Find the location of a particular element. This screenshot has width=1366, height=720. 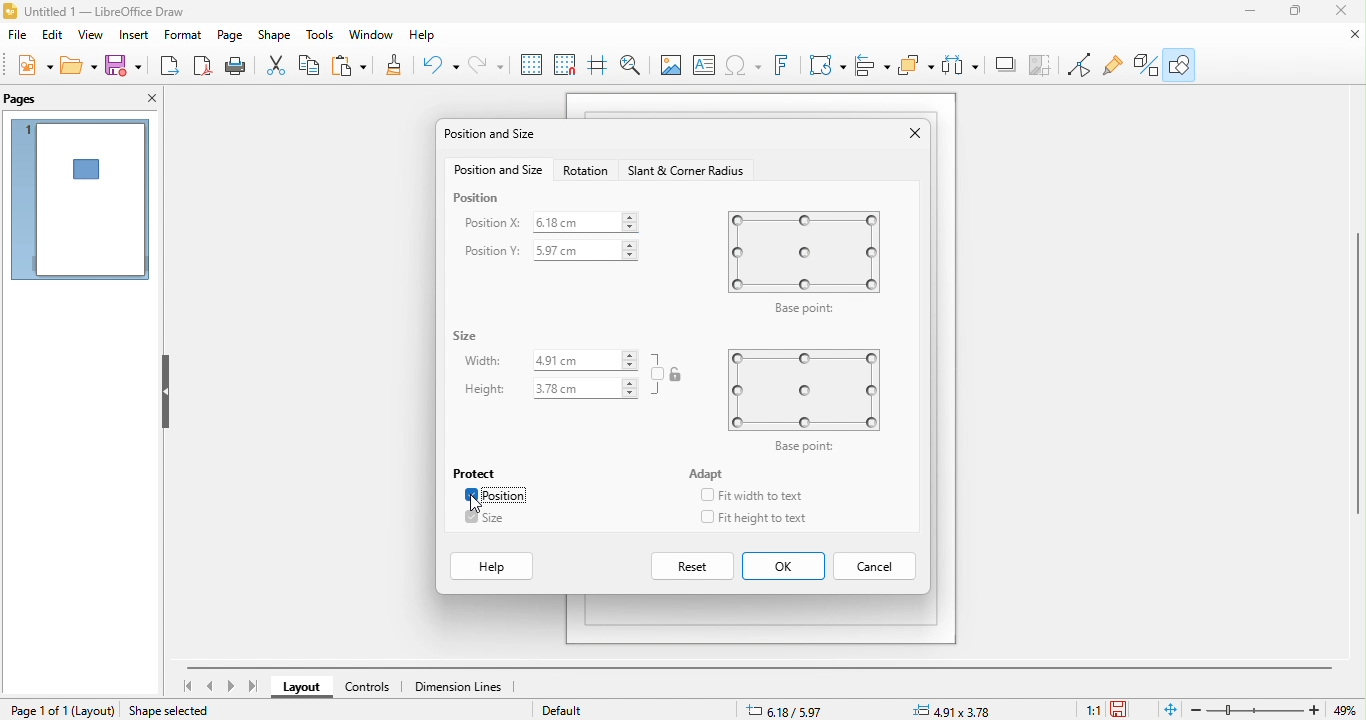

toggle point edit mode is located at coordinates (1045, 66).